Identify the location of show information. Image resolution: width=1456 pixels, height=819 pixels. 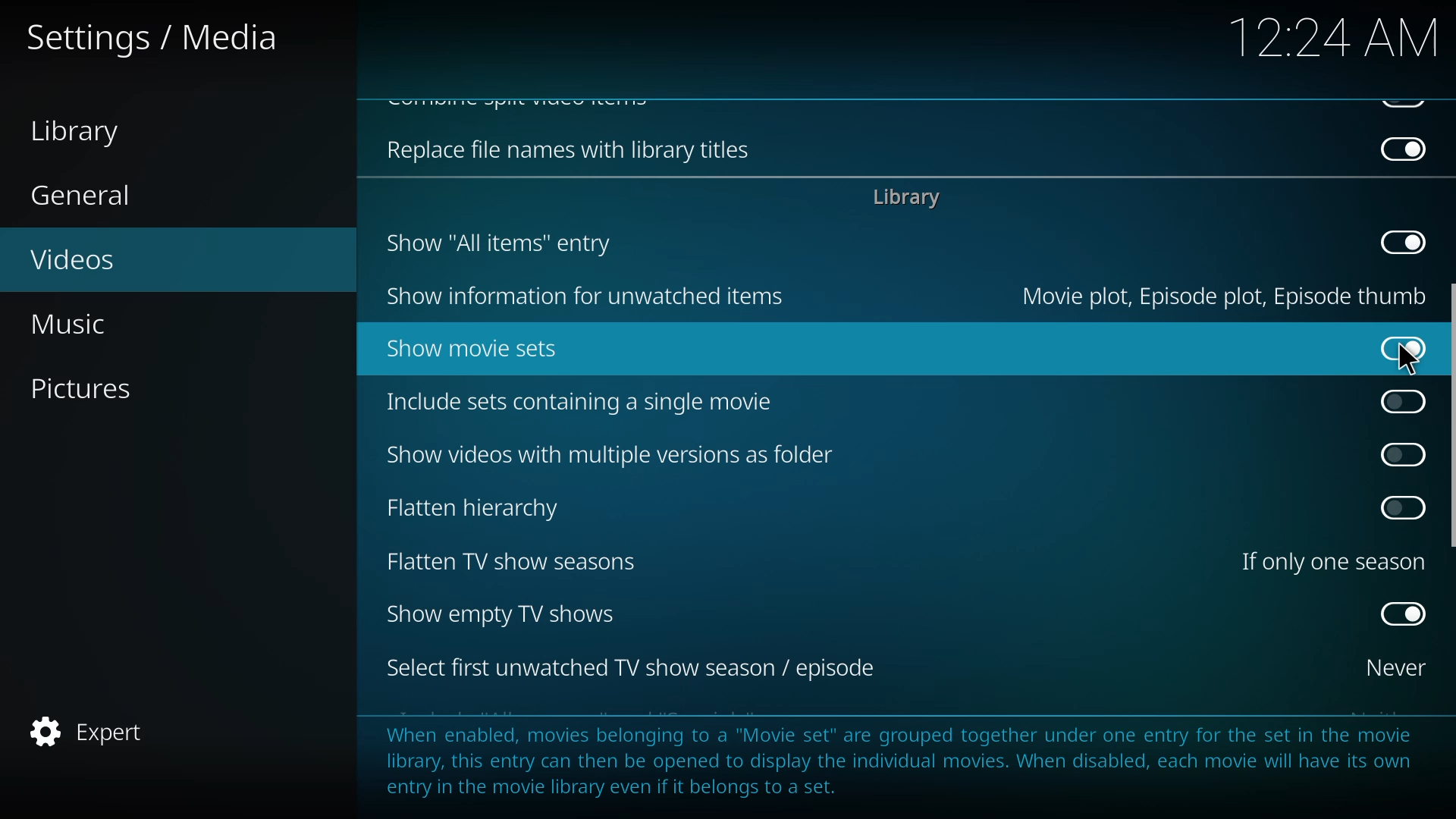
(579, 298).